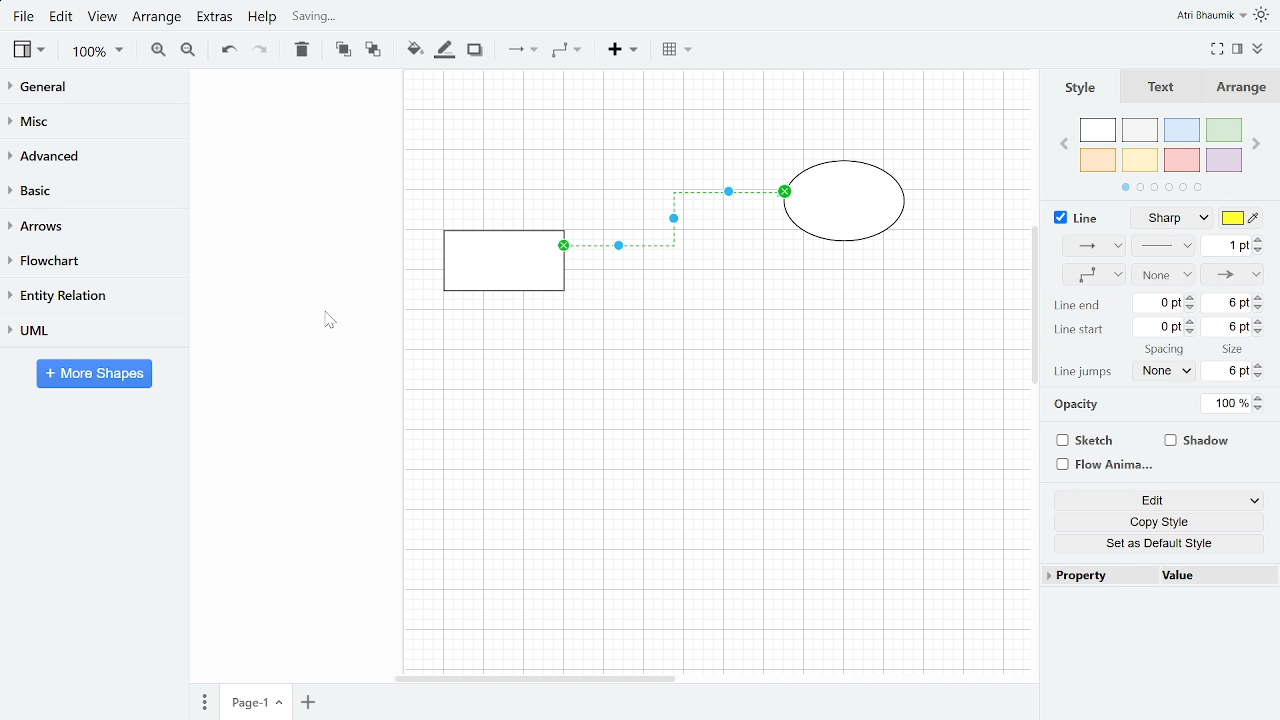 The width and height of the screenshot is (1280, 720). Describe the element at coordinates (1261, 308) in the screenshot. I see `Decrease line end size` at that location.